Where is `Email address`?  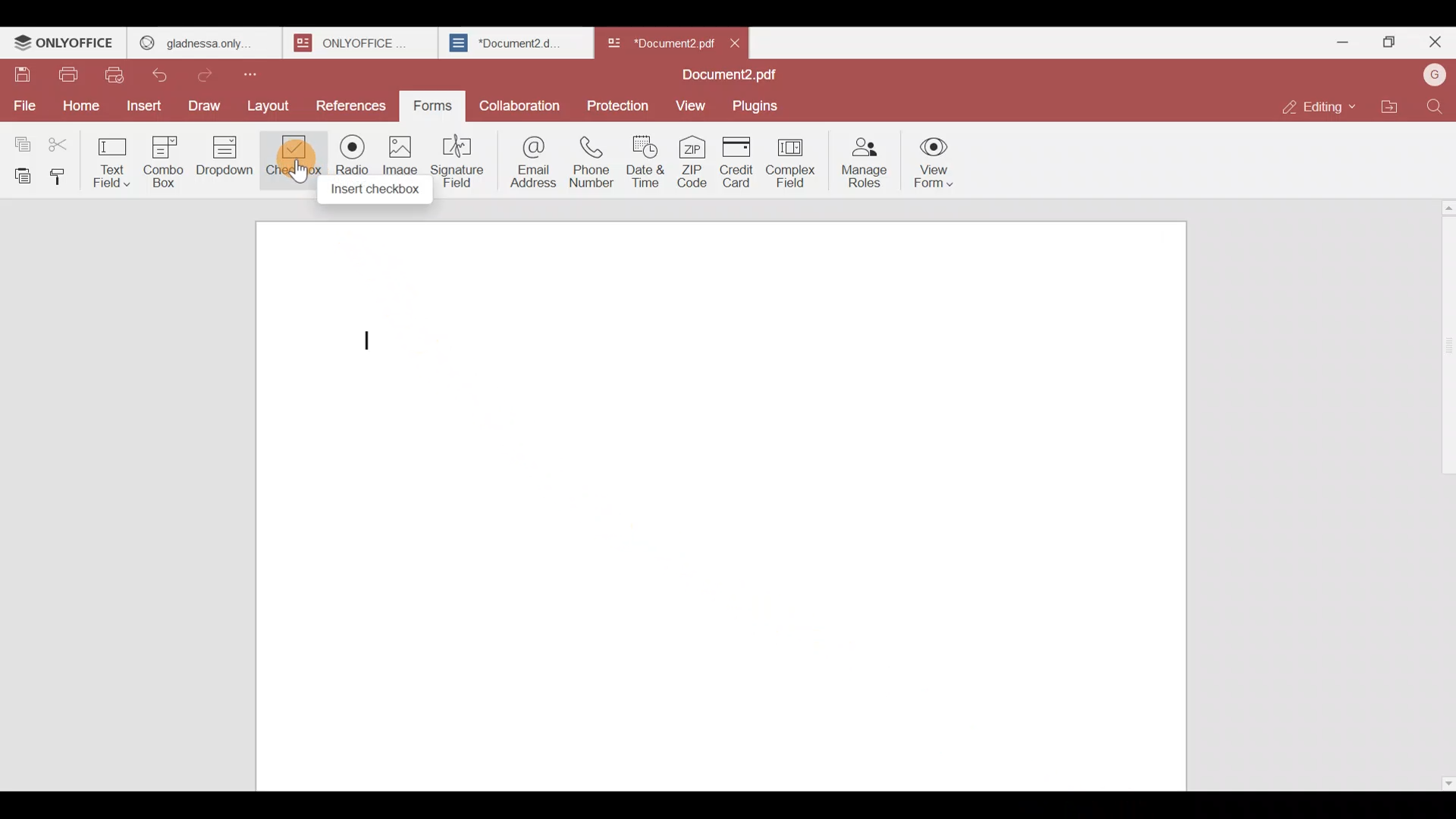
Email address is located at coordinates (530, 160).